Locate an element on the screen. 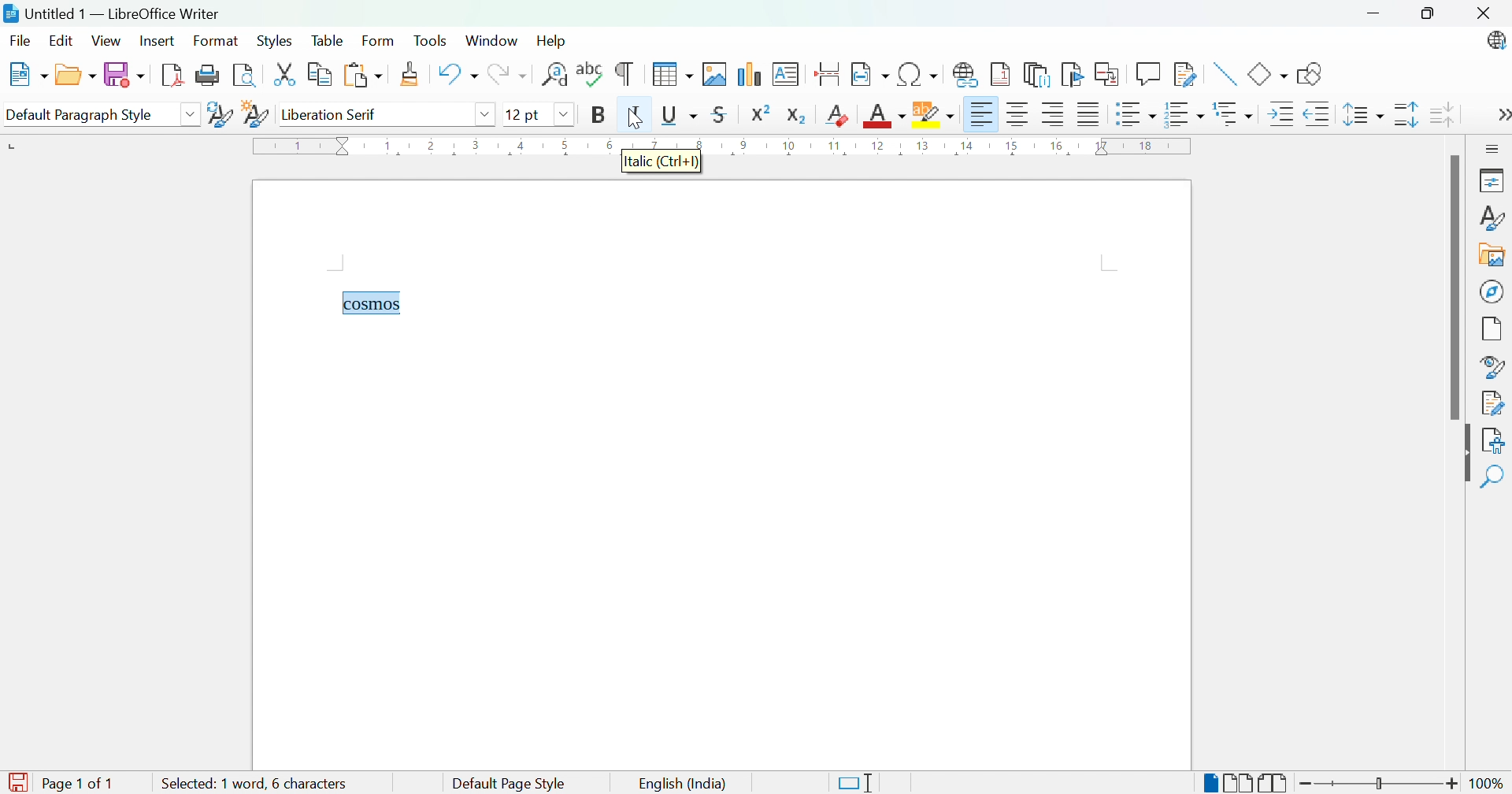 The image size is (1512, 794). Superscript is located at coordinates (761, 113).